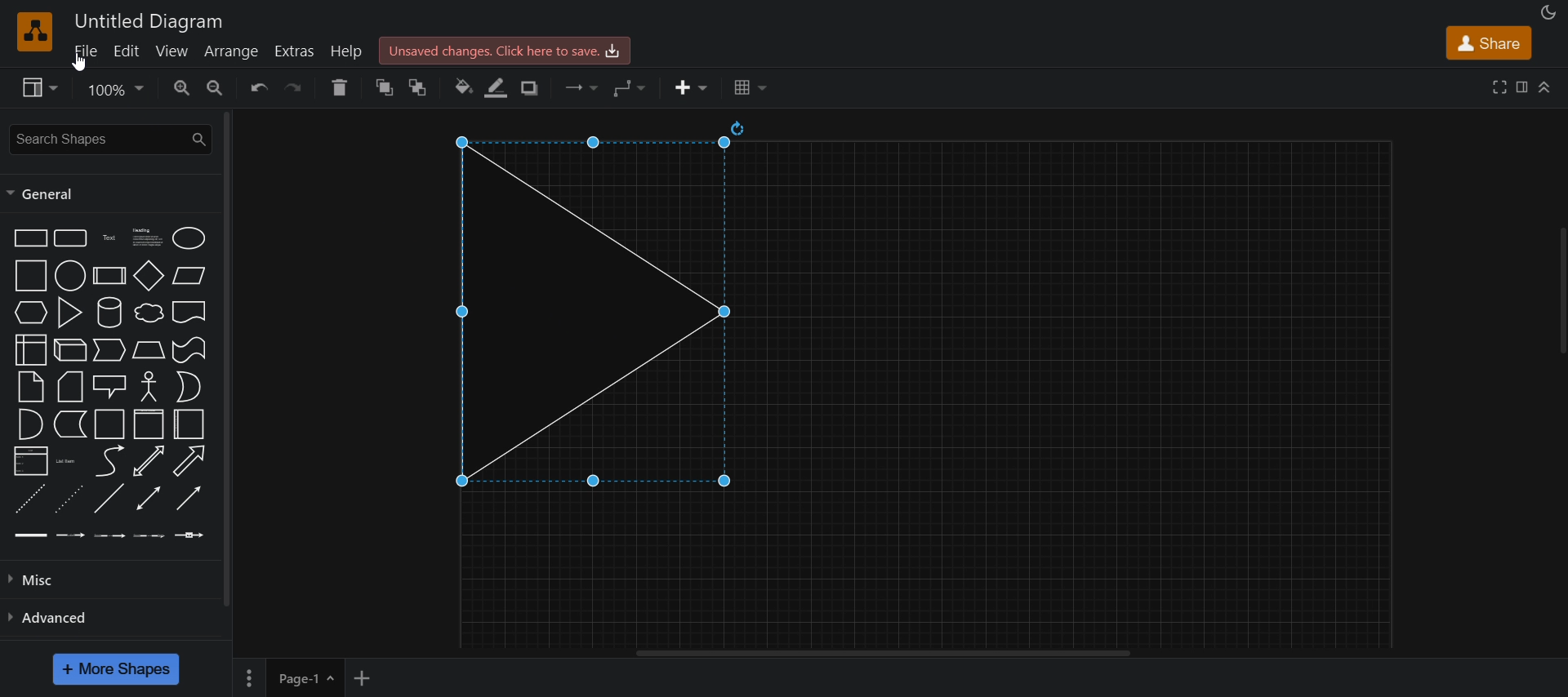 The height and width of the screenshot is (697, 1568). Describe the element at coordinates (189, 350) in the screenshot. I see `tape` at that location.